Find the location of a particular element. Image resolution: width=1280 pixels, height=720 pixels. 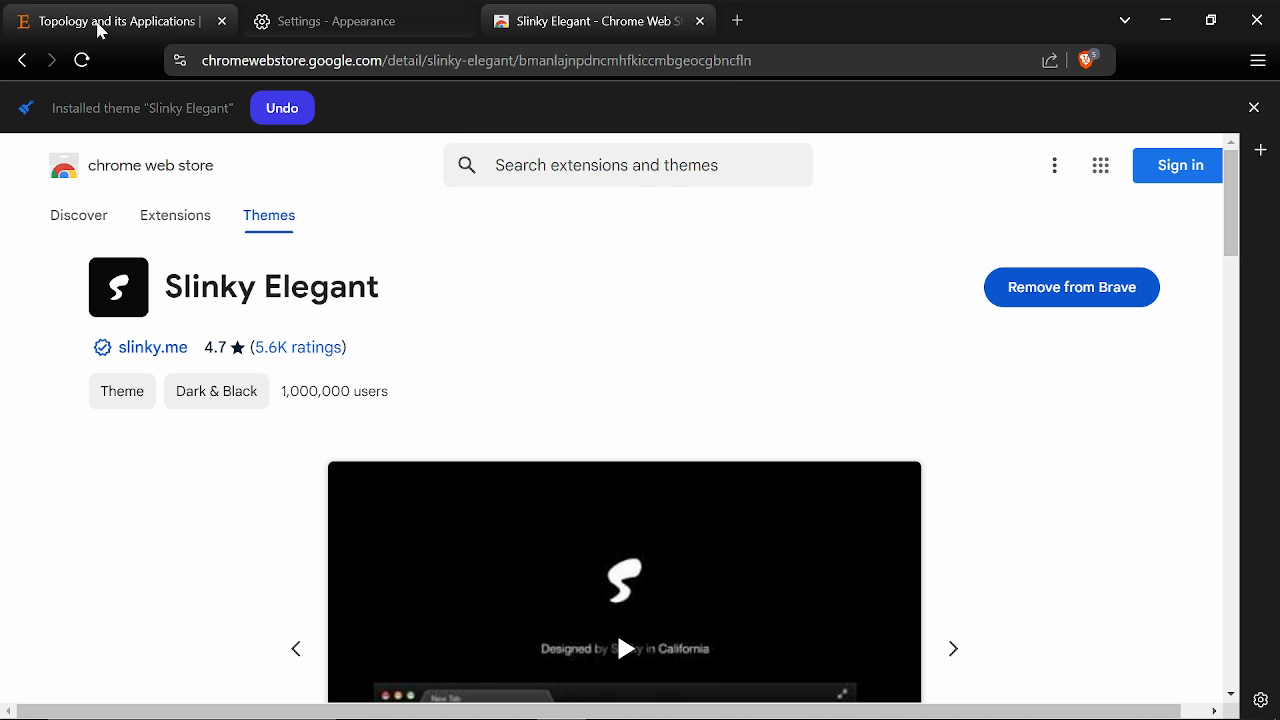

Options is located at coordinates (1054, 165).